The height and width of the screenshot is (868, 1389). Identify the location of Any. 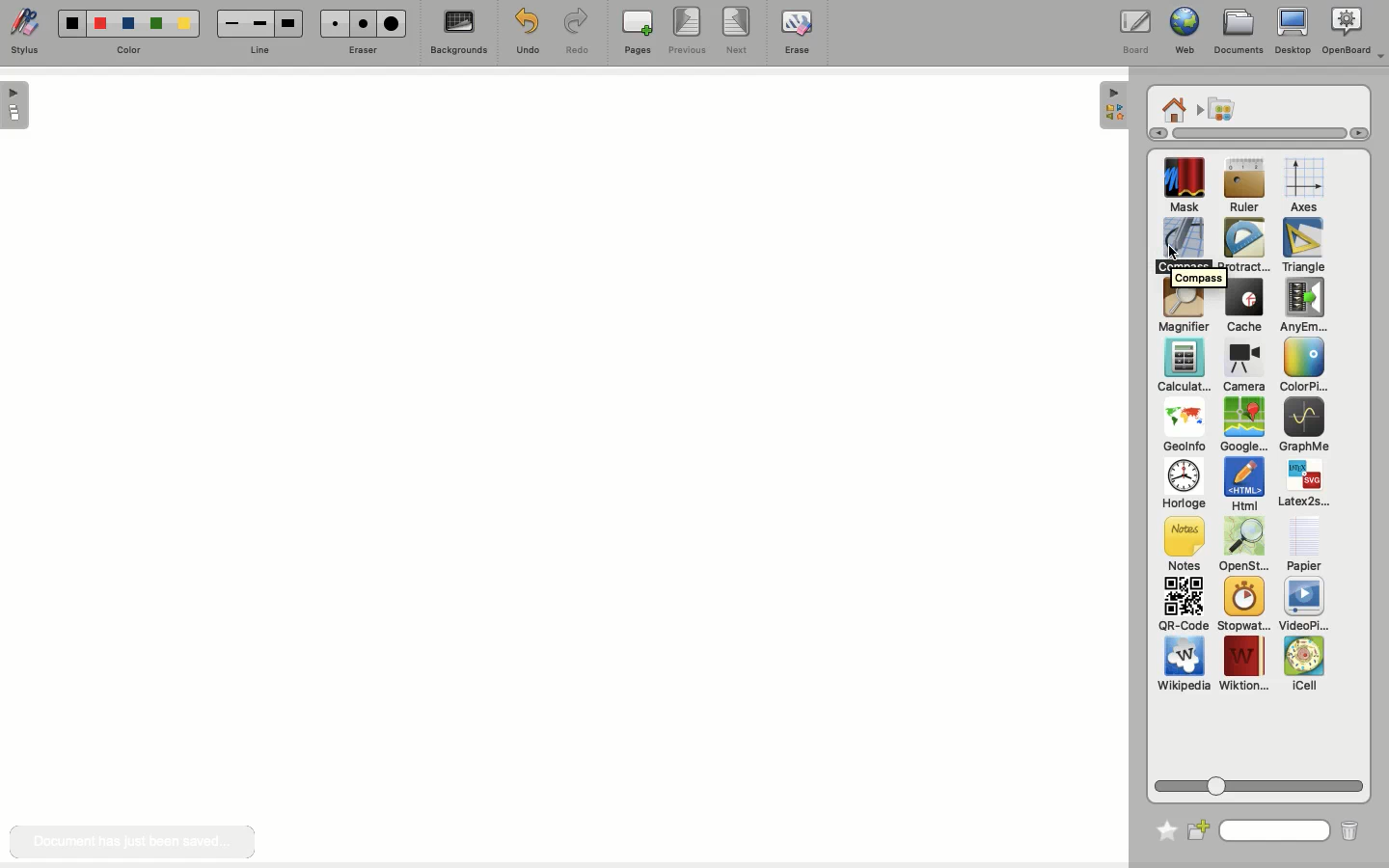
(1303, 306).